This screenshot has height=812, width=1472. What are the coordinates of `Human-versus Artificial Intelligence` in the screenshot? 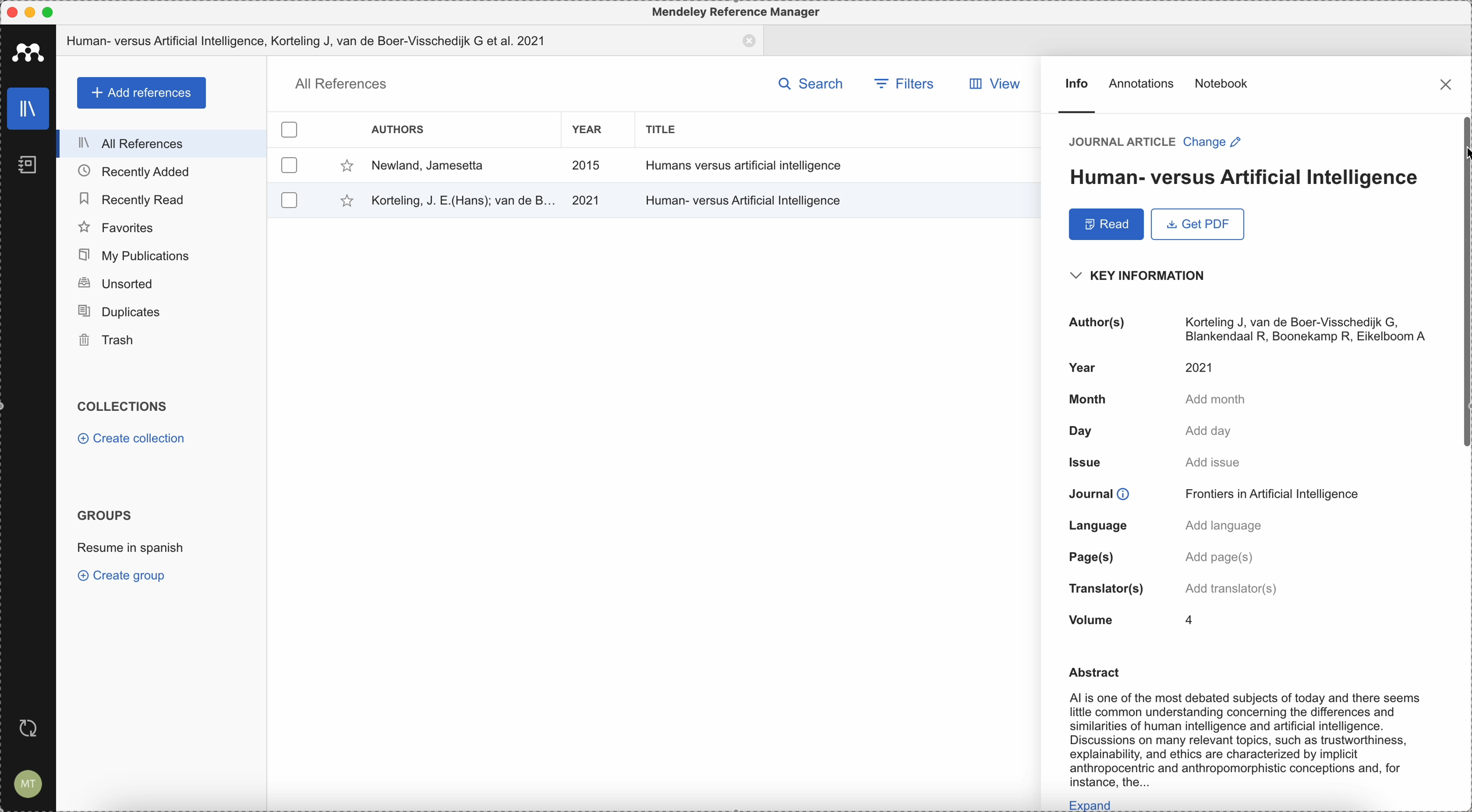 It's located at (1239, 178).